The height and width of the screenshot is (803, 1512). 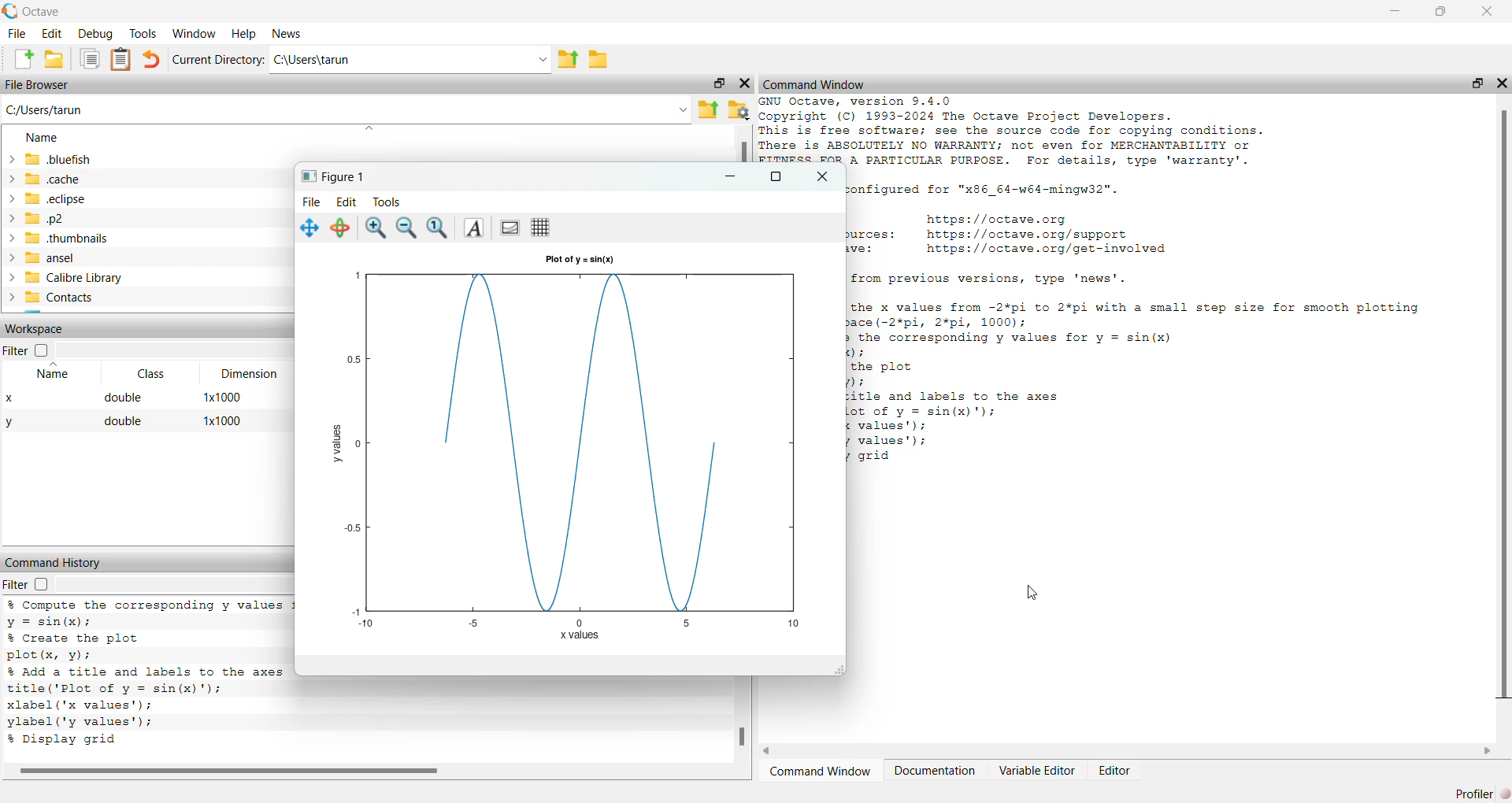 What do you see at coordinates (36, 219) in the screenshot?
I see `.p2` at bounding box center [36, 219].